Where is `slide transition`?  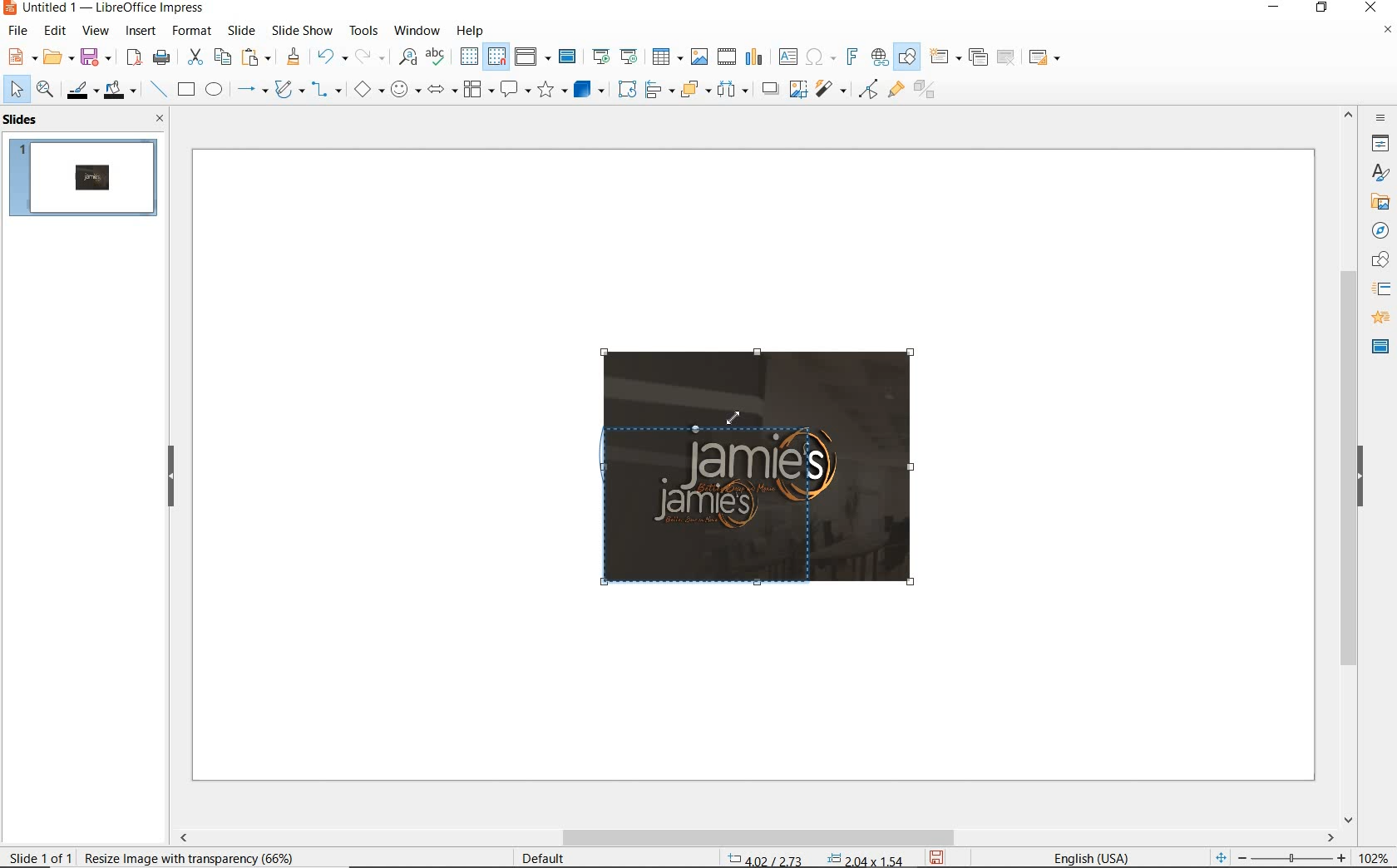
slide transition is located at coordinates (1380, 289).